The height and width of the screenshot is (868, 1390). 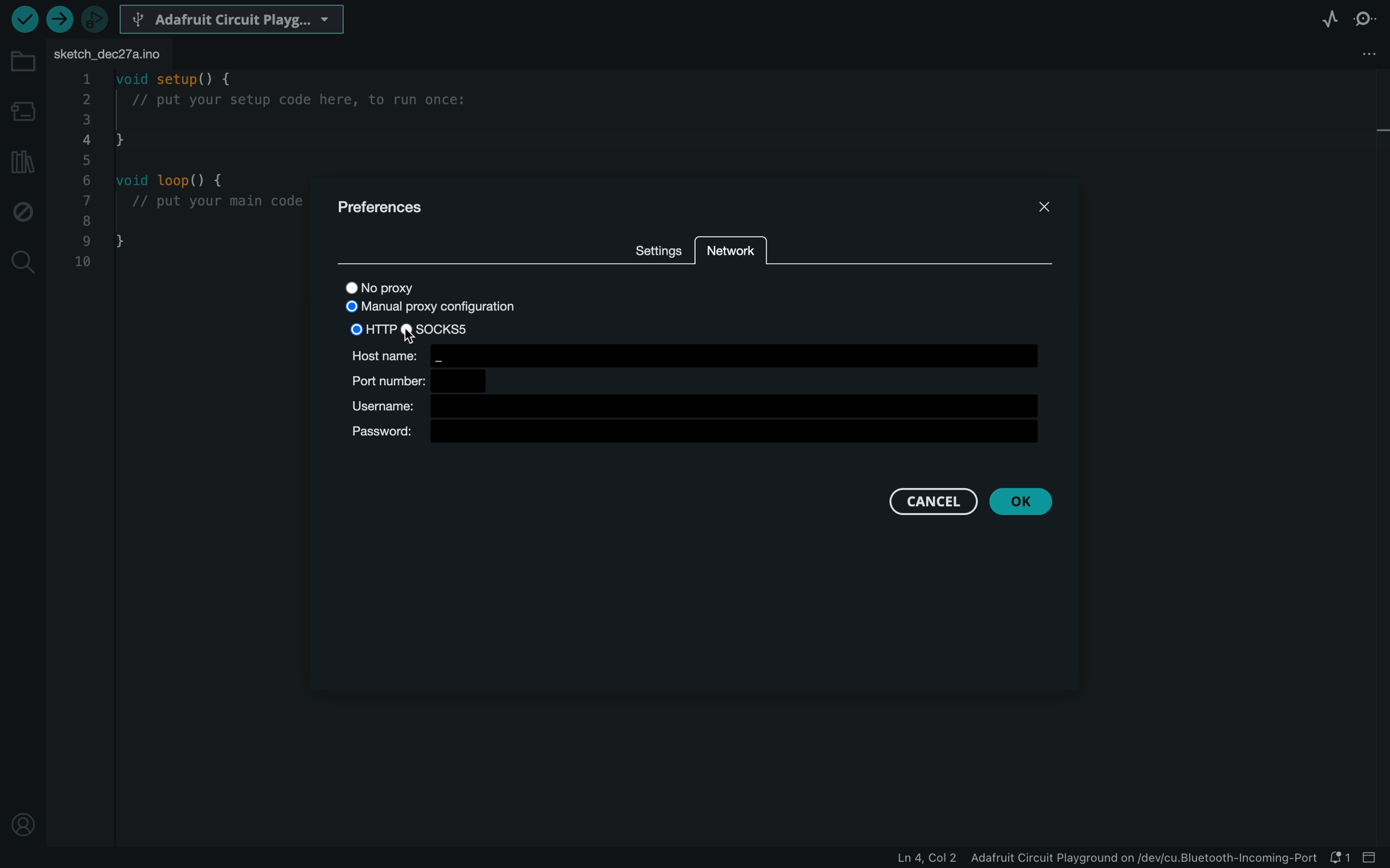 What do you see at coordinates (1042, 204) in the screenshot?
I see `close` at bounding box center [1042, 204].